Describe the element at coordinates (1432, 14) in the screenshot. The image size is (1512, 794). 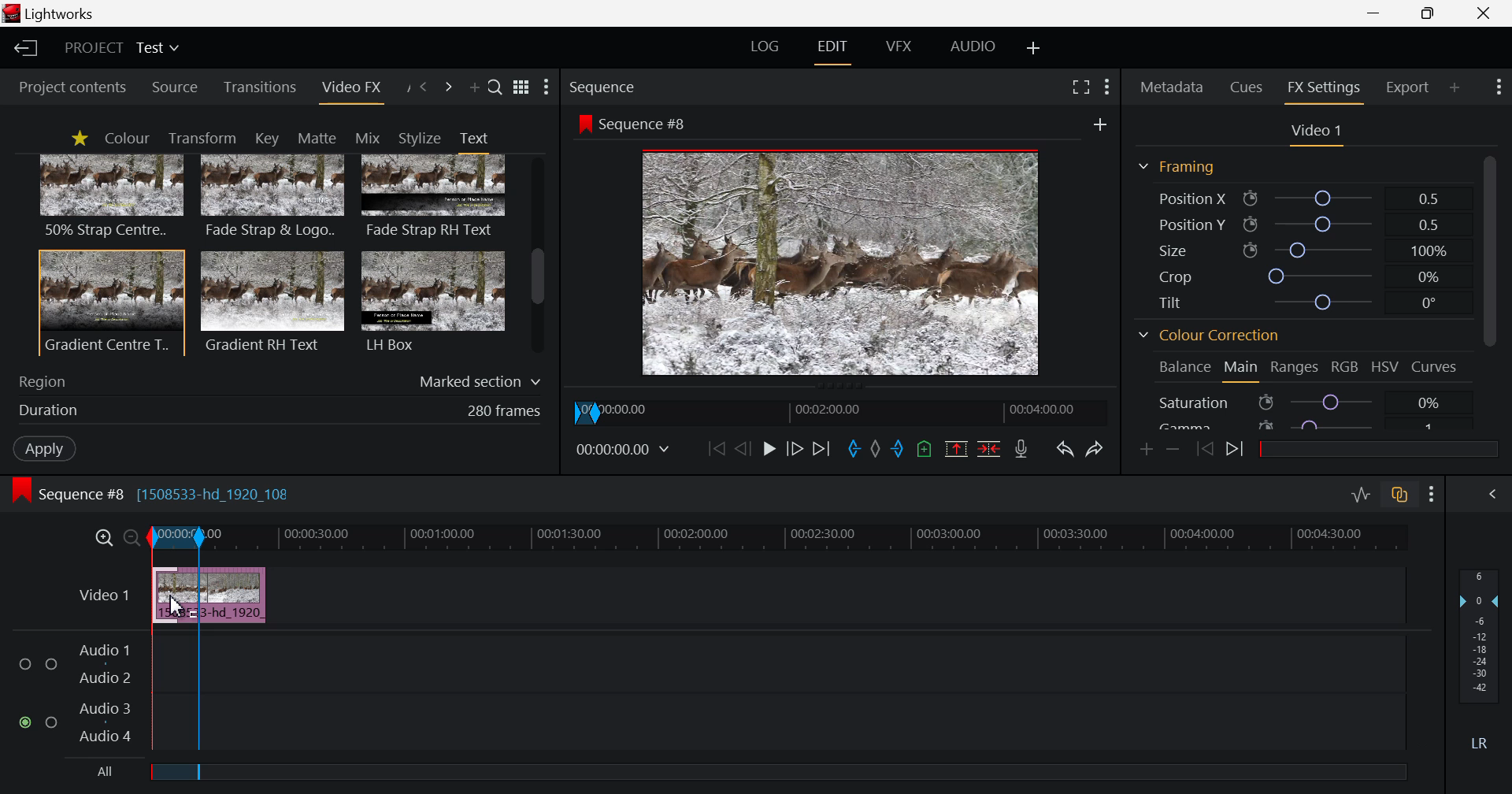
I see `Minimize` at that location.